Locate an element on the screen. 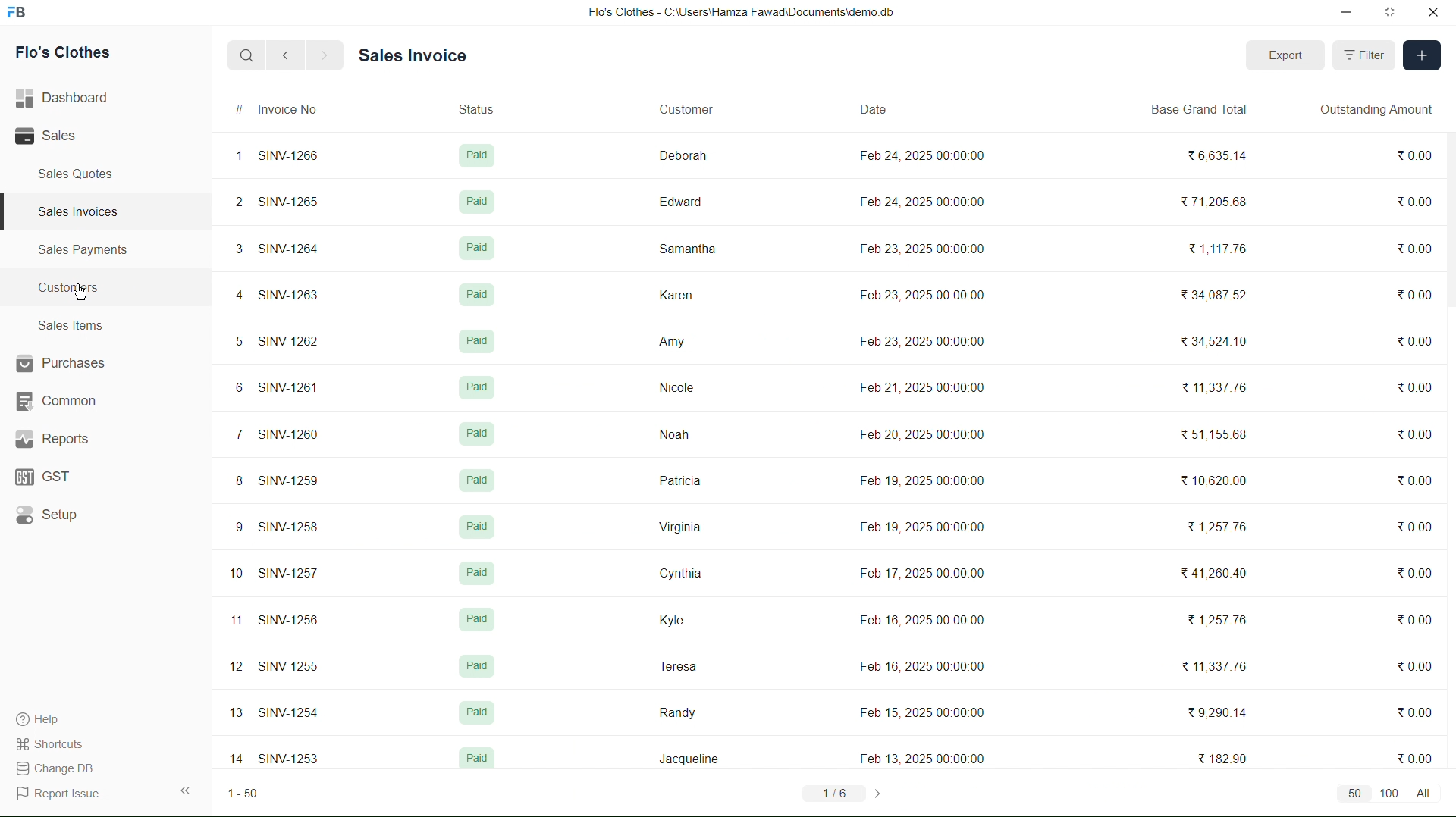  39,290.14 is located at coordinates (1216, 712).